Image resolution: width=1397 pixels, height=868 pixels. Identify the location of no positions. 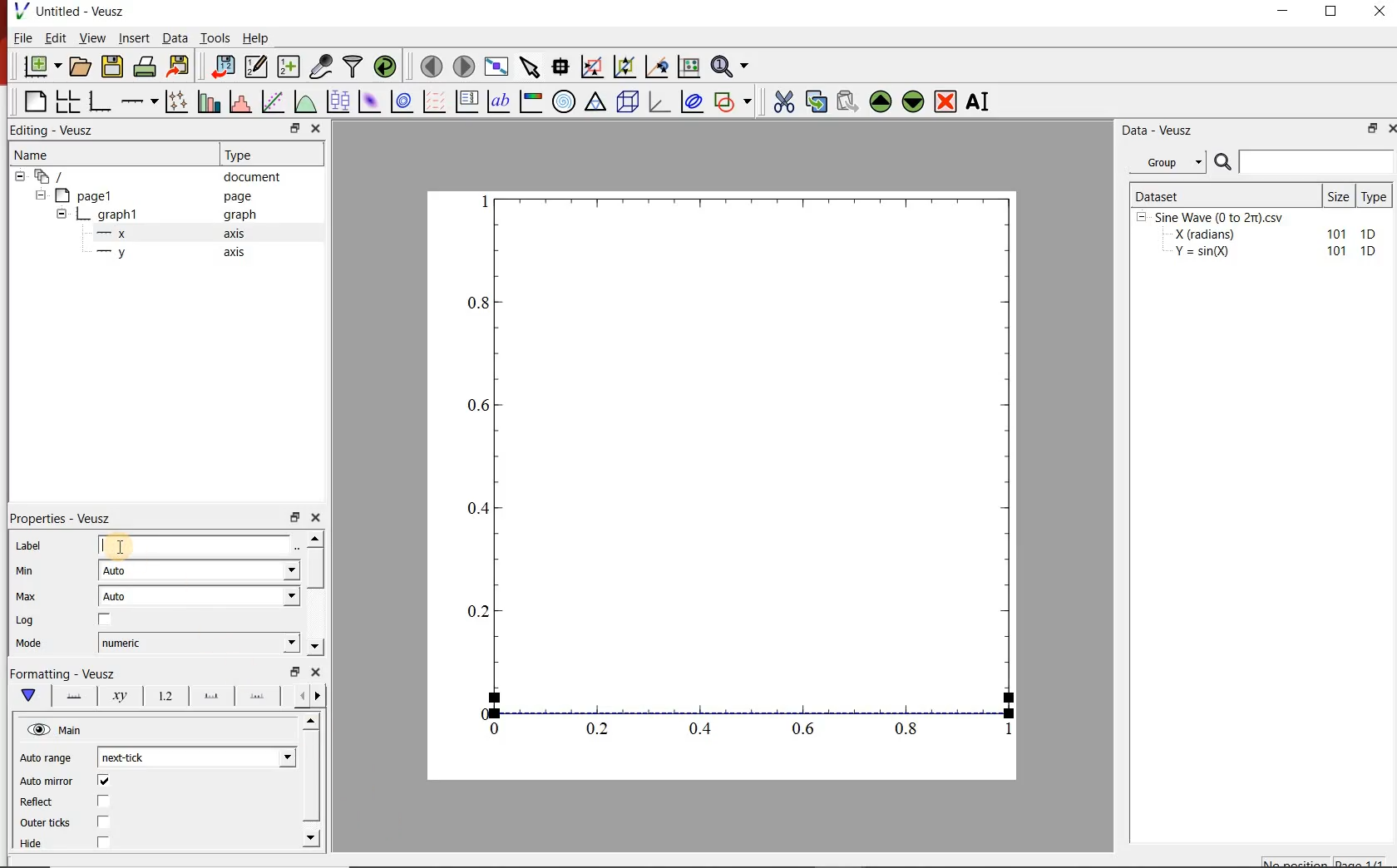
(1325, 861).